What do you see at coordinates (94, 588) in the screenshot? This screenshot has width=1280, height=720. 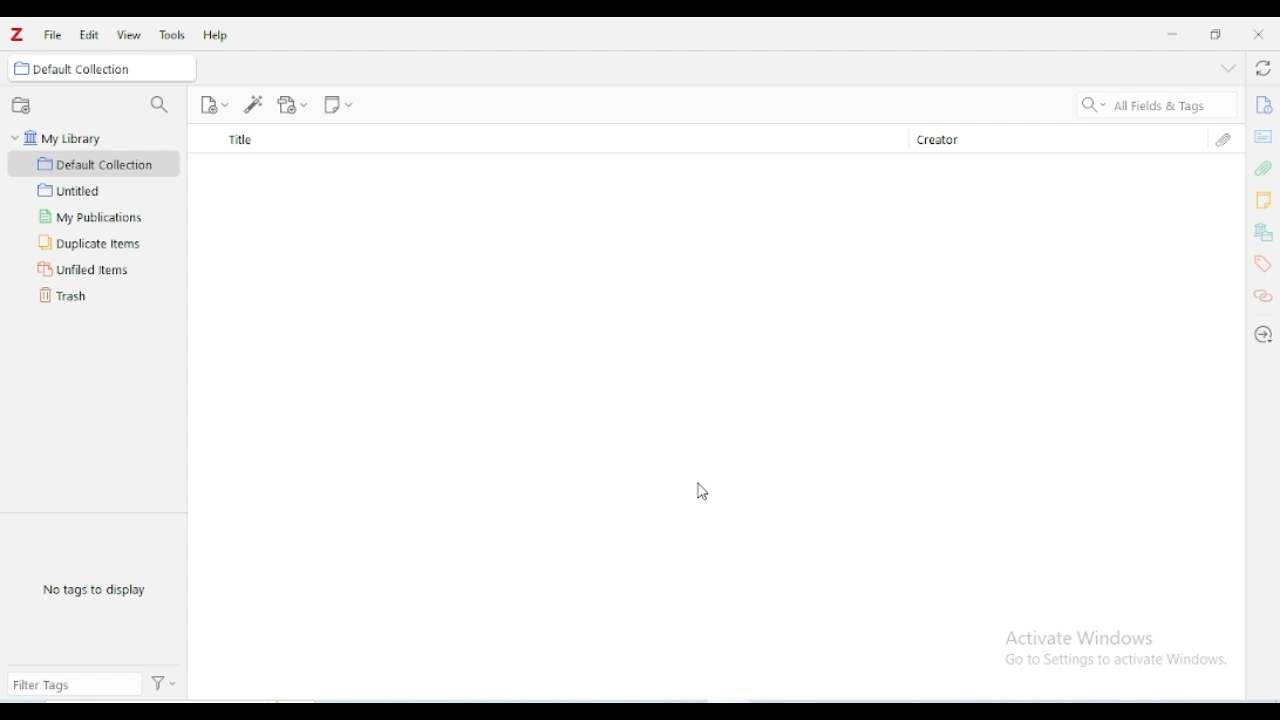 I see `no tags to display` at bounding box center [94, 588].